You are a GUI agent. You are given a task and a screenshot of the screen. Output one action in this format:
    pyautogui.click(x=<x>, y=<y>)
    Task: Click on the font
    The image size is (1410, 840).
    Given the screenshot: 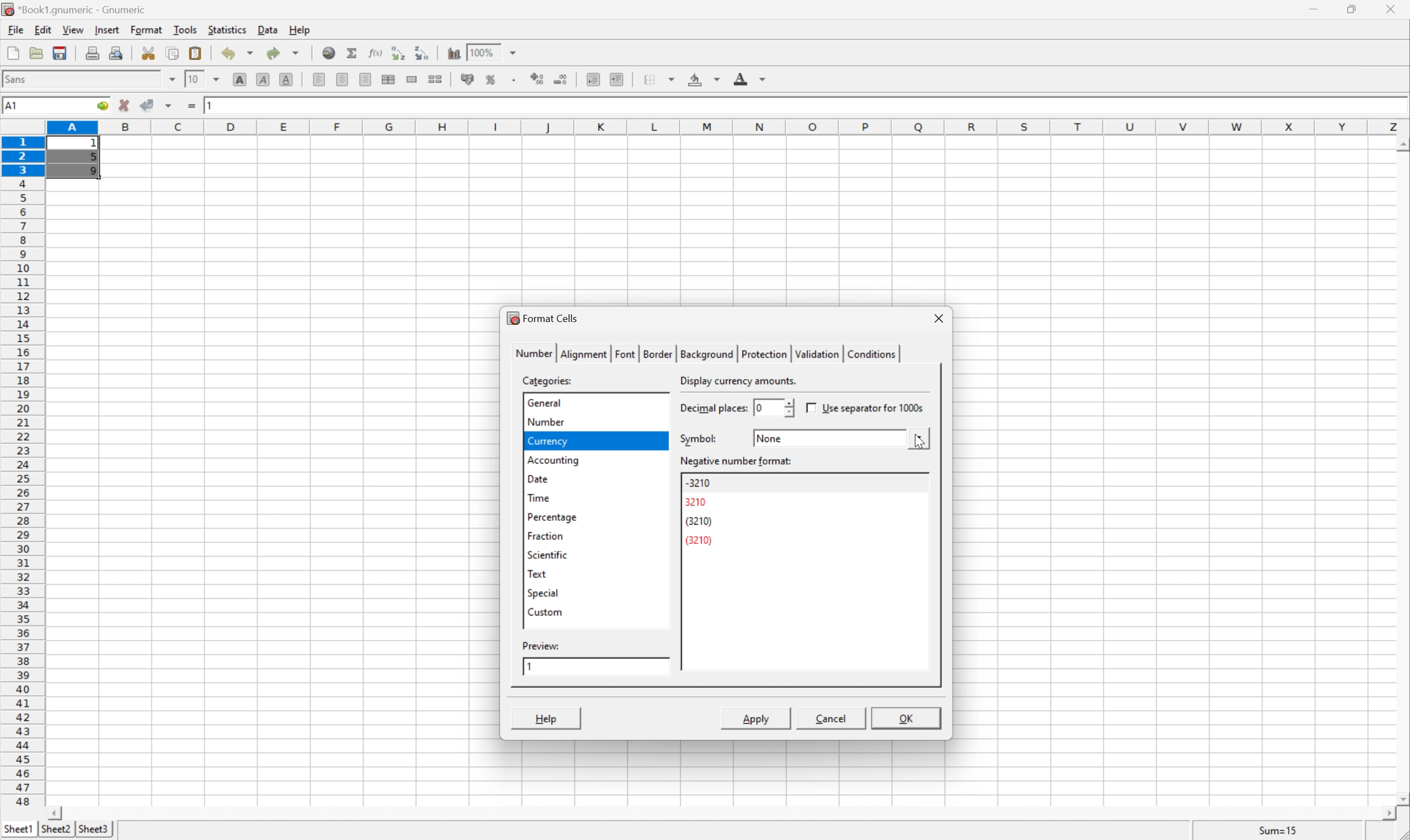 What is the action you would take?
    pyautogui.click(x=625, y=353)
    